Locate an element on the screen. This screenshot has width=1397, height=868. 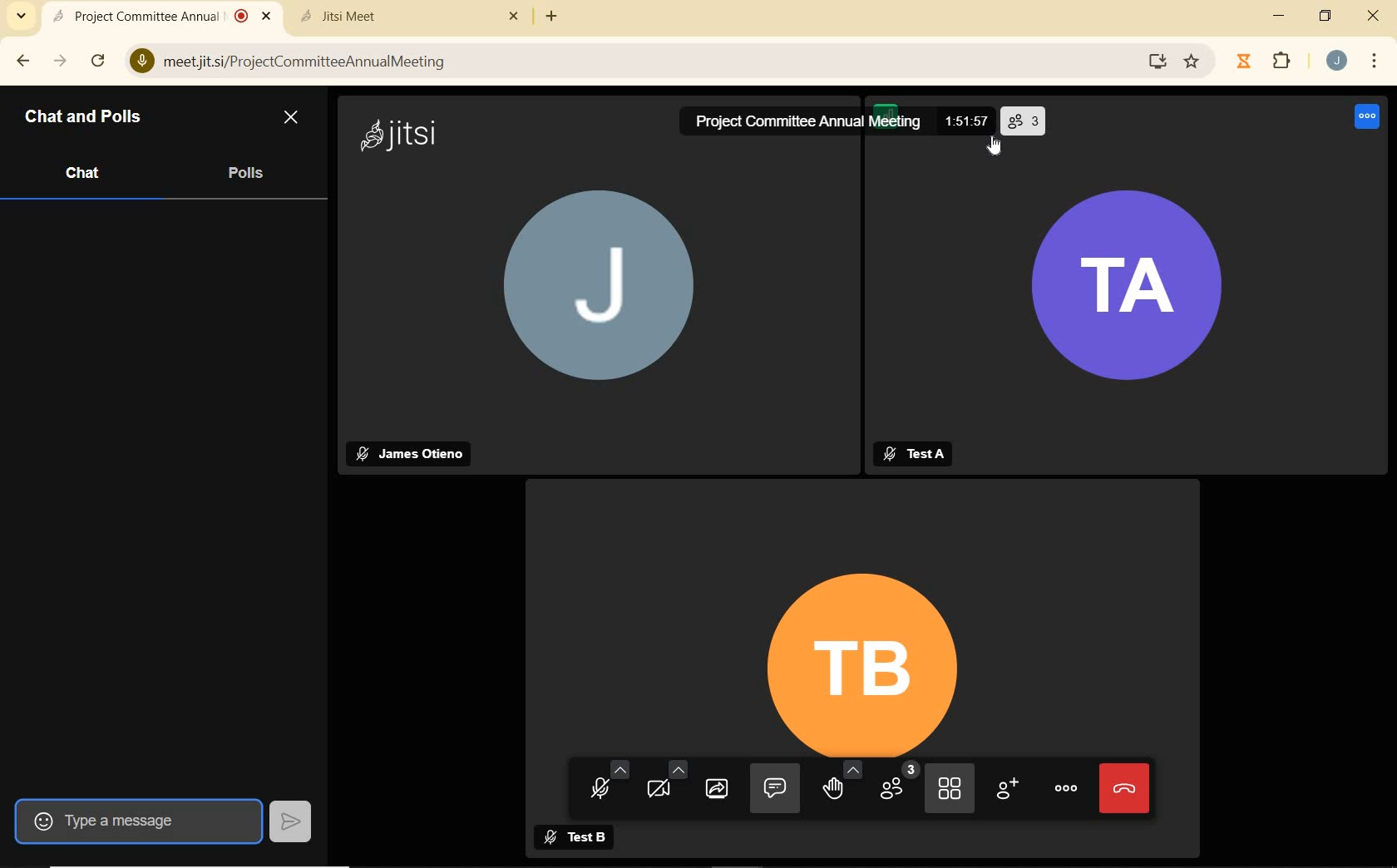
extensions is located at coordinates (1283, 61).